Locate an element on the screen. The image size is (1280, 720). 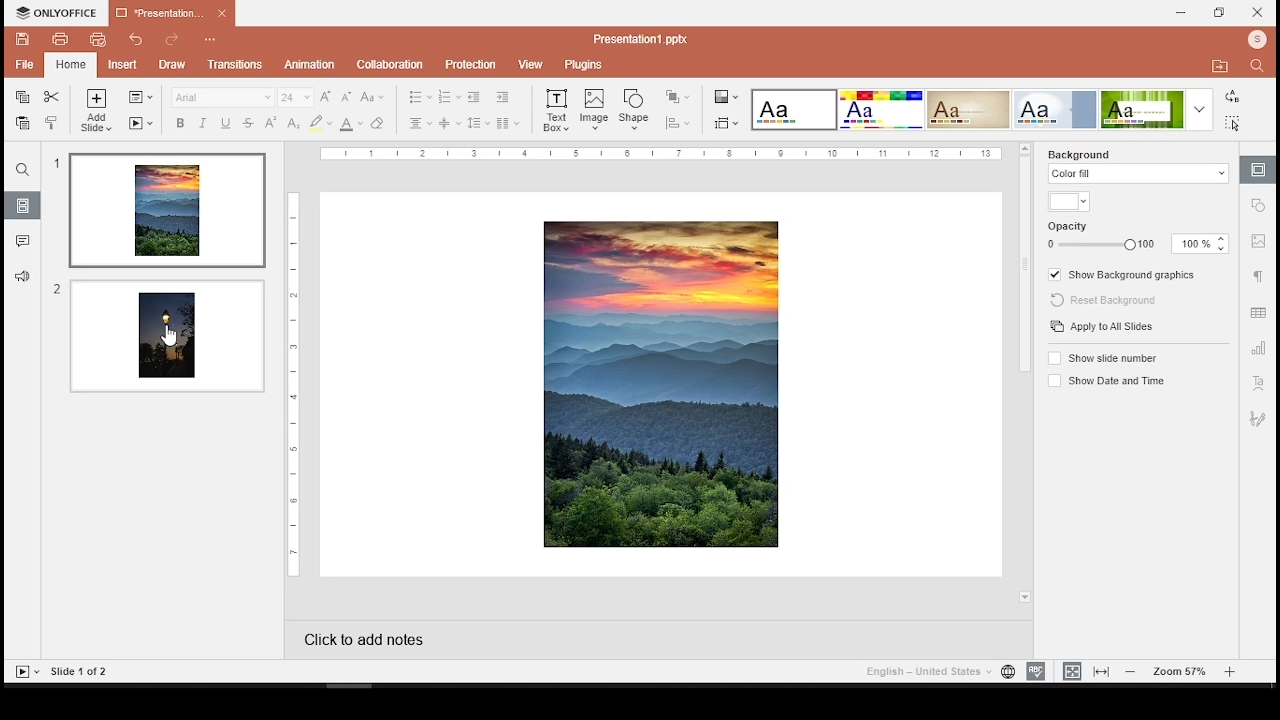
presentation is located at coordinates (173, 14).